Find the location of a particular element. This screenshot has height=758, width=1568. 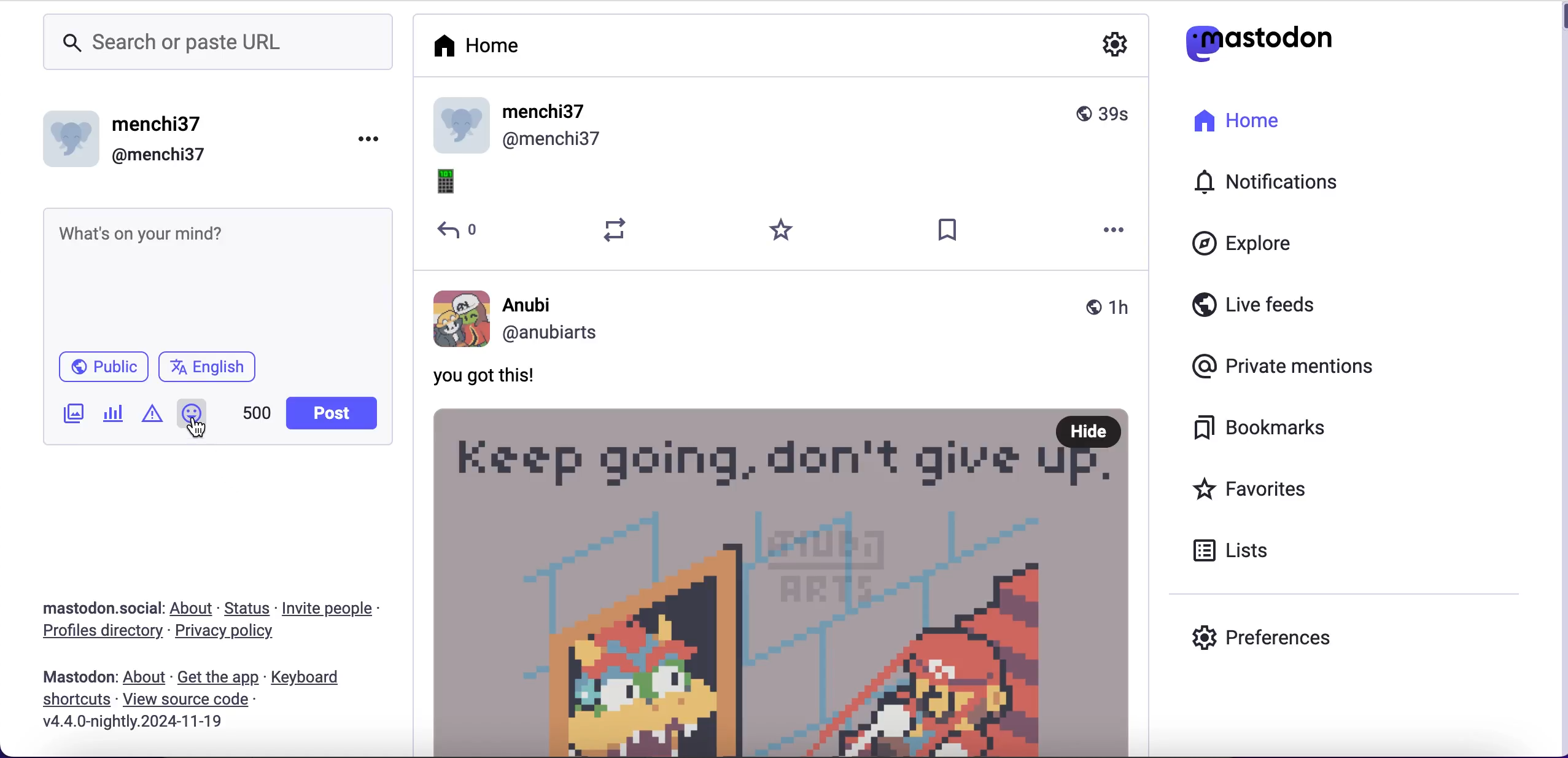

preferences is located at coordinates (1268, 636).